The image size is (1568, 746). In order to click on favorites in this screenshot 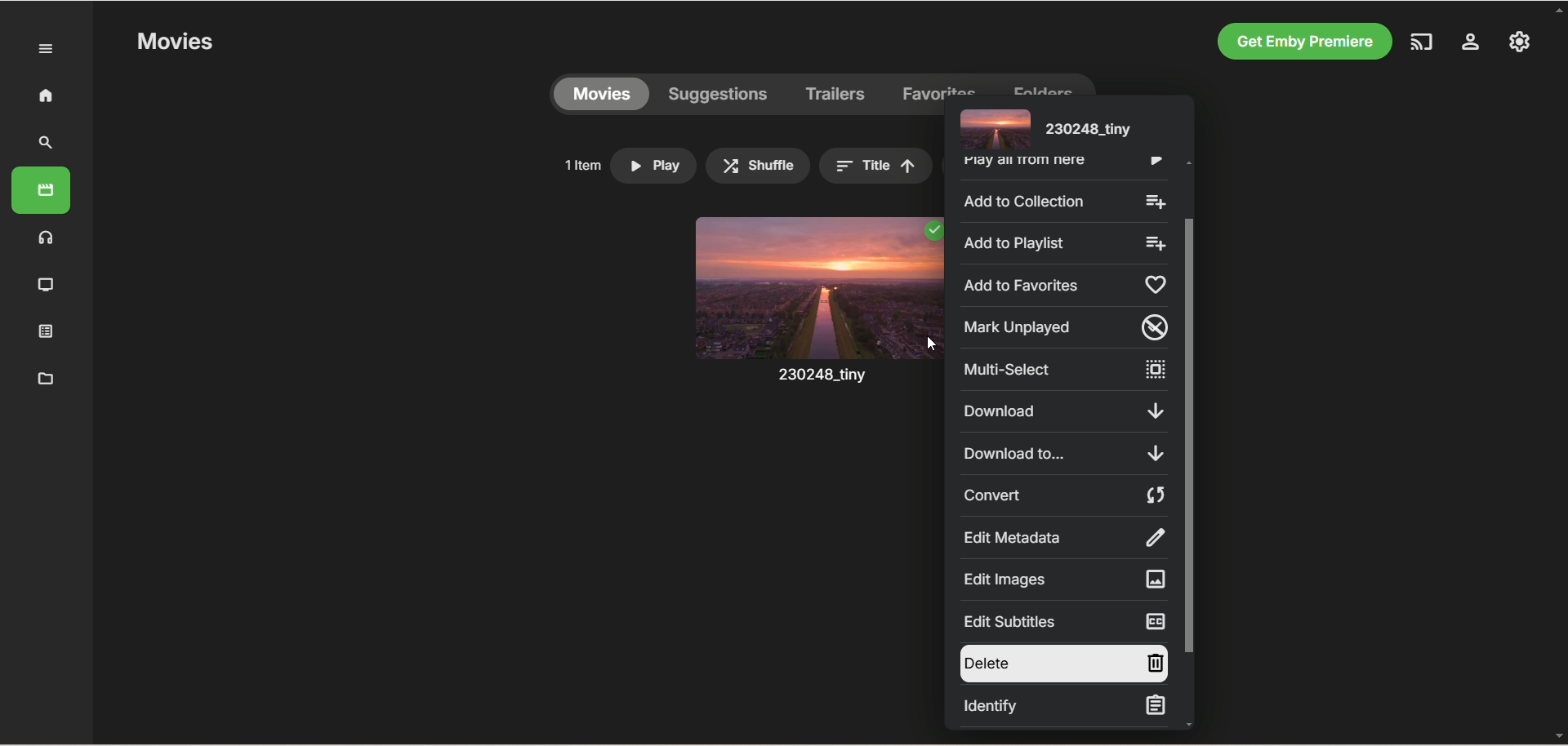, I will do `click(940, 84)`.